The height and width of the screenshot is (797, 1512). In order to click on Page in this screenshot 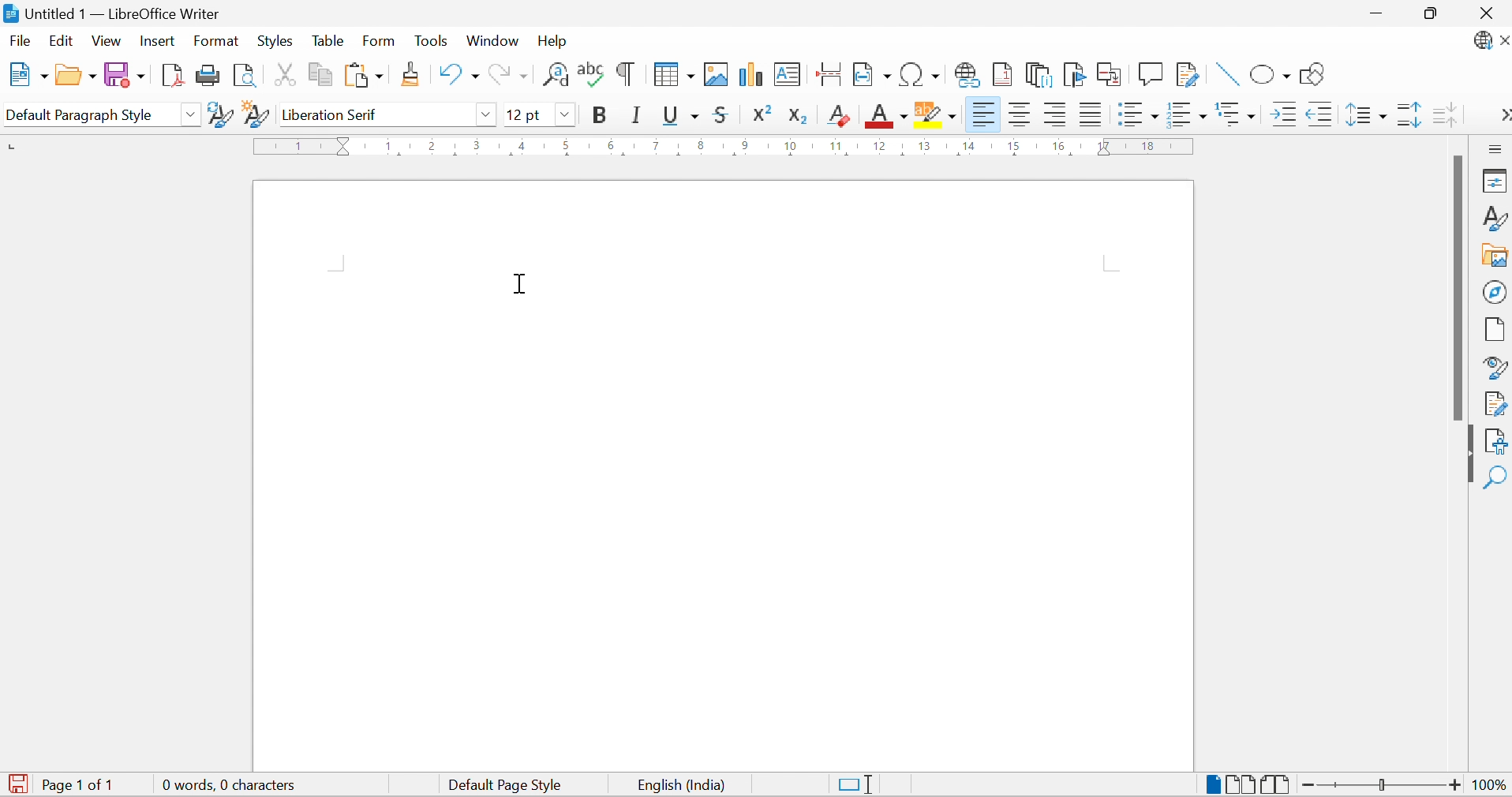, I will do `click(1496, 330)`.